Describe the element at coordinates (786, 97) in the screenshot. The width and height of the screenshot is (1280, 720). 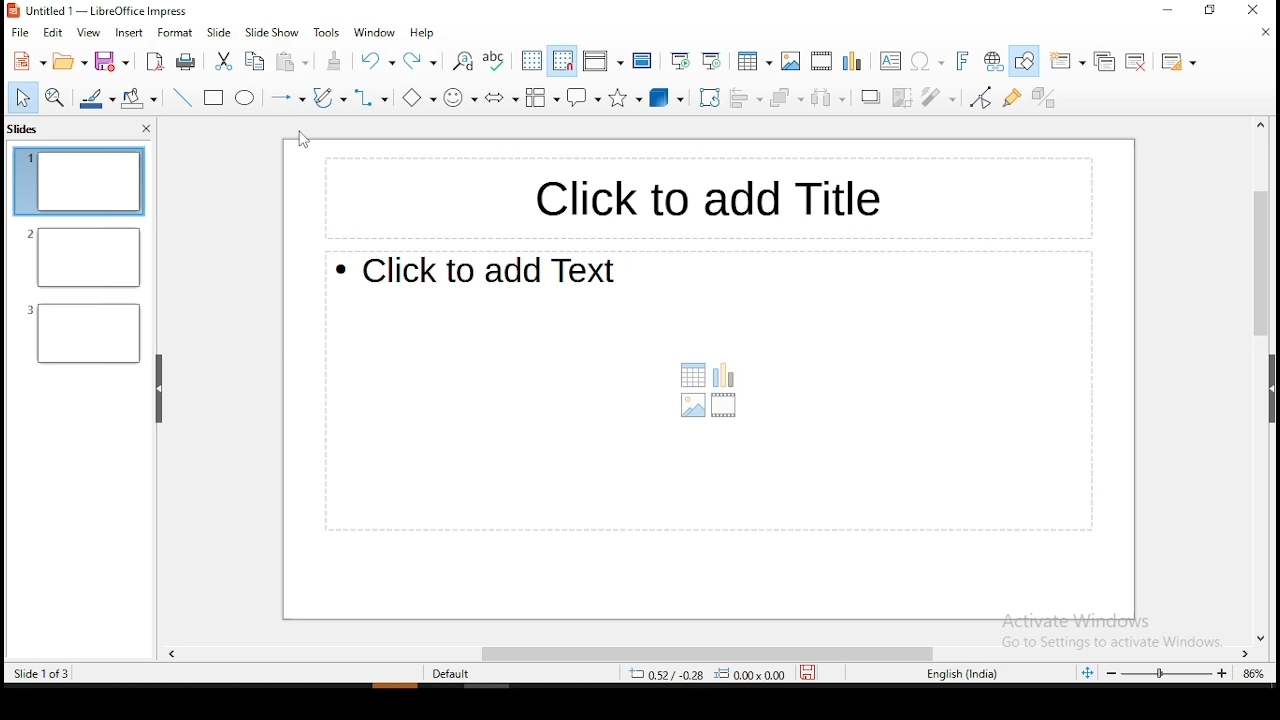
I see `arrange` at that location.